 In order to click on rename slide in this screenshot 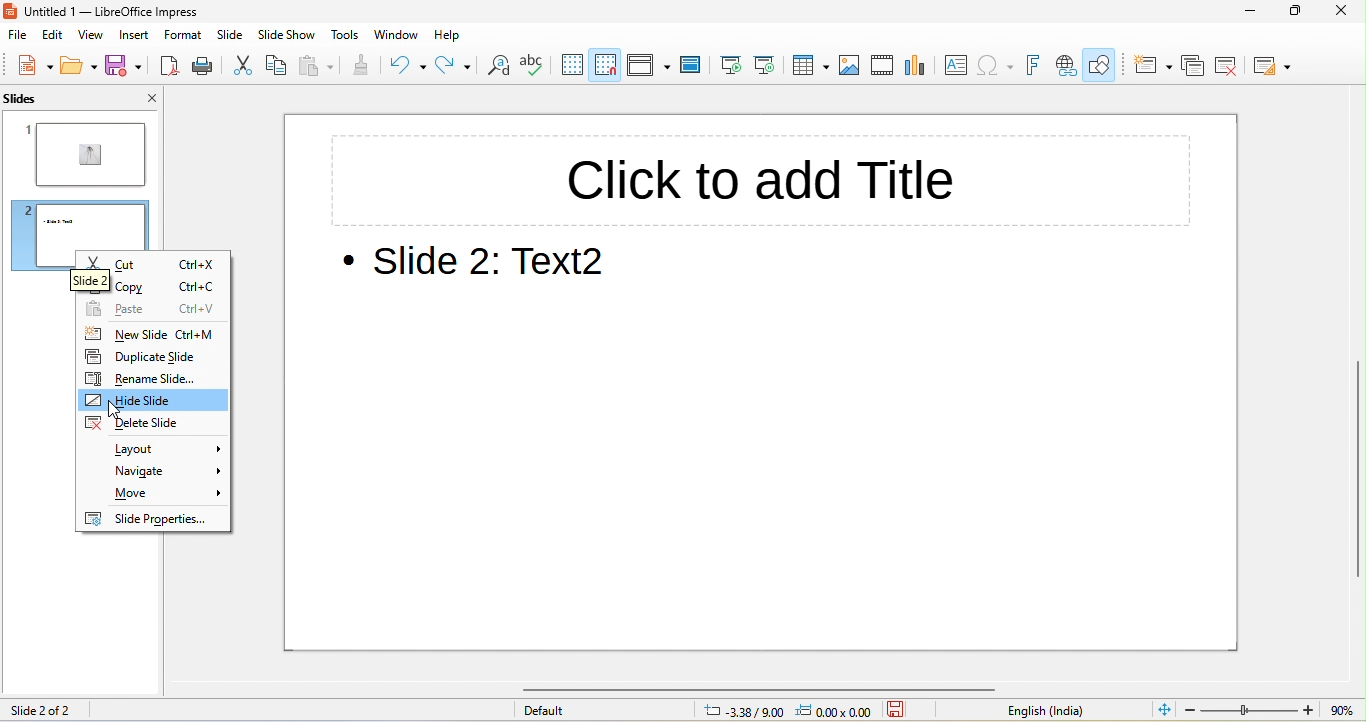, I will do `click(151, 379)`.